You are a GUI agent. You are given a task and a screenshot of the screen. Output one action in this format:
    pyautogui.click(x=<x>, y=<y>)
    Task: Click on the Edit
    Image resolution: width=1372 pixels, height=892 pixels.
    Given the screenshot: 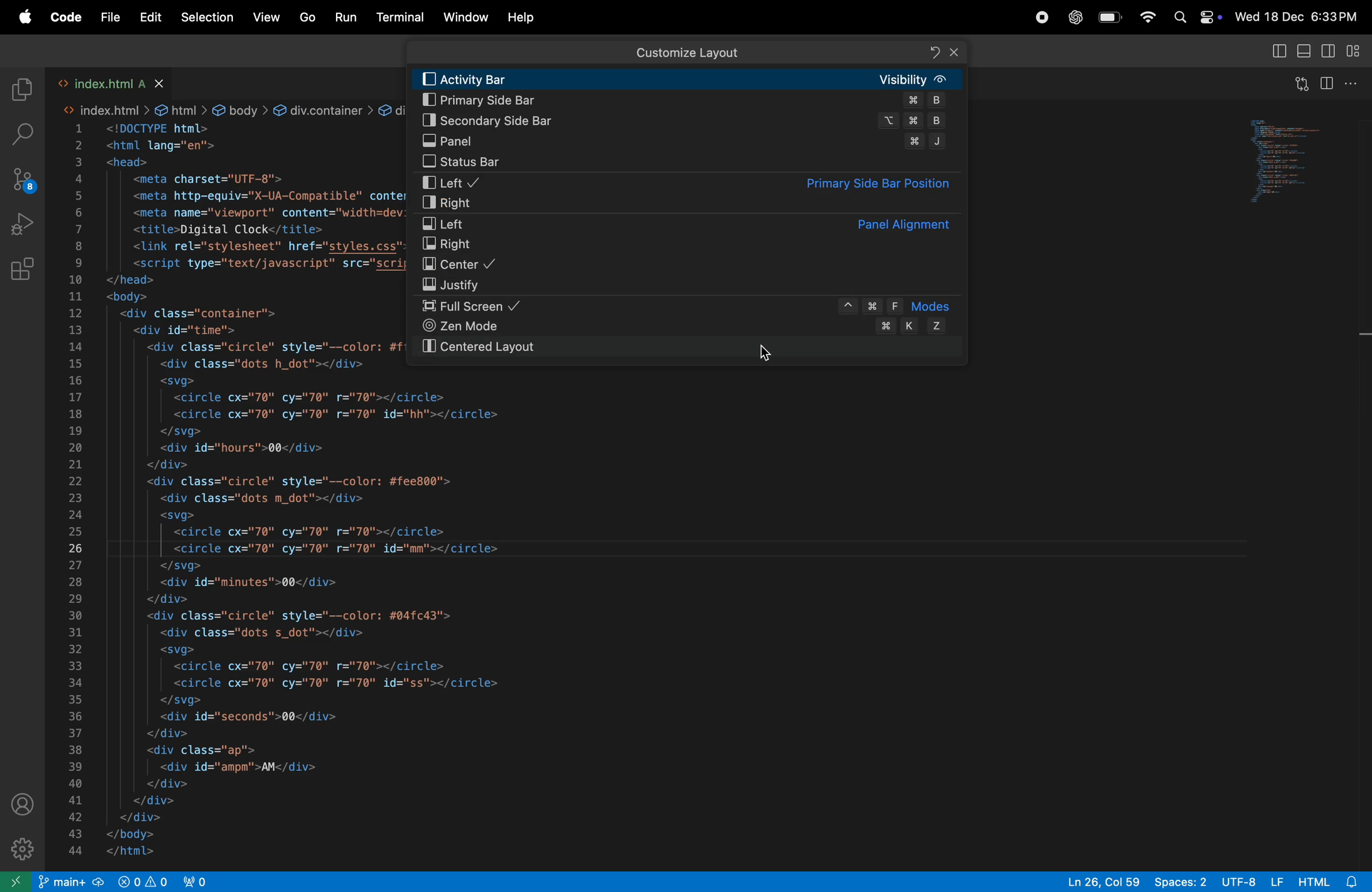 What is the action you would take?
    pyautogui.click(x=150, y=17)
    